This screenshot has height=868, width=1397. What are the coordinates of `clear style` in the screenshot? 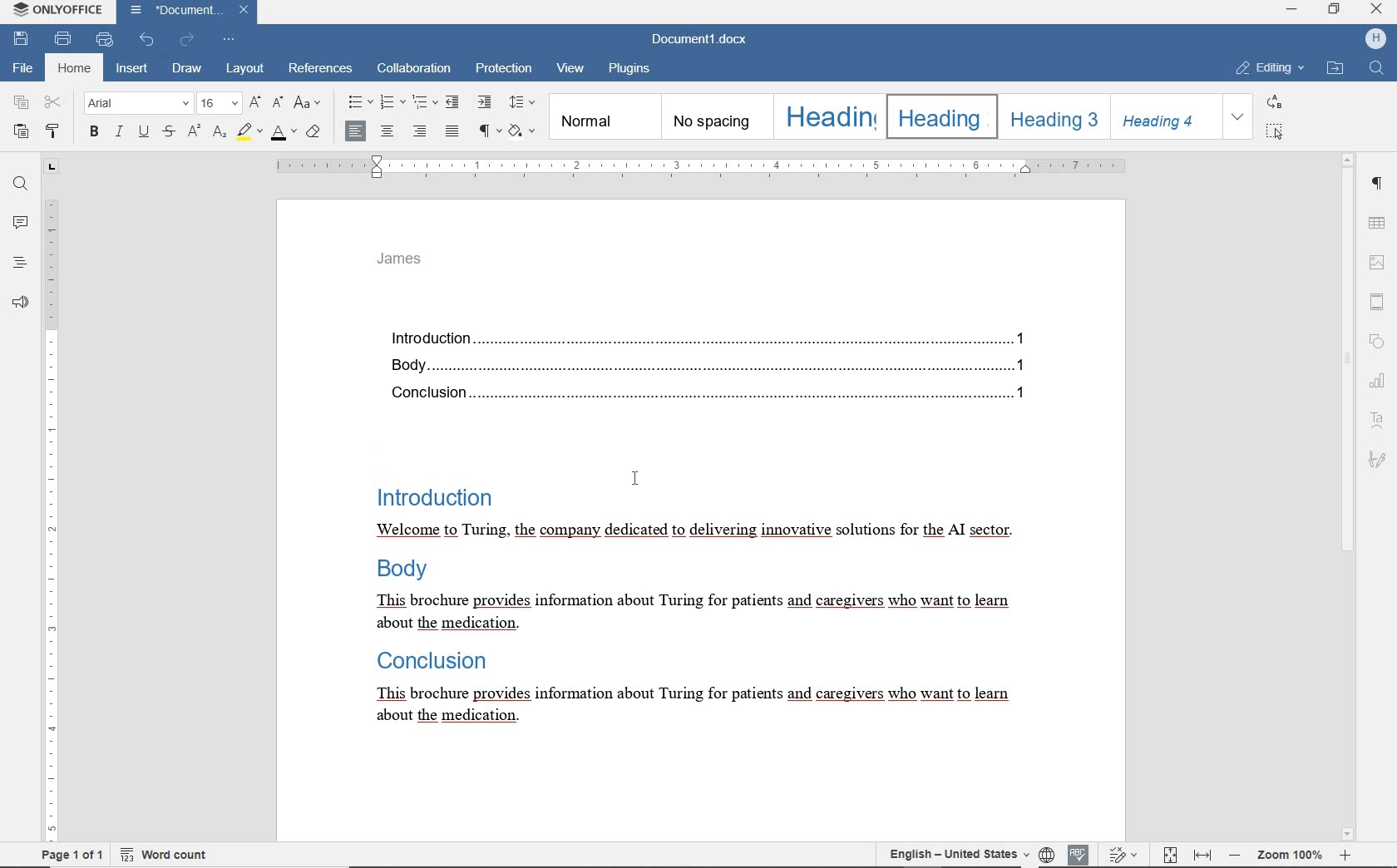 It's located at (315, 132).